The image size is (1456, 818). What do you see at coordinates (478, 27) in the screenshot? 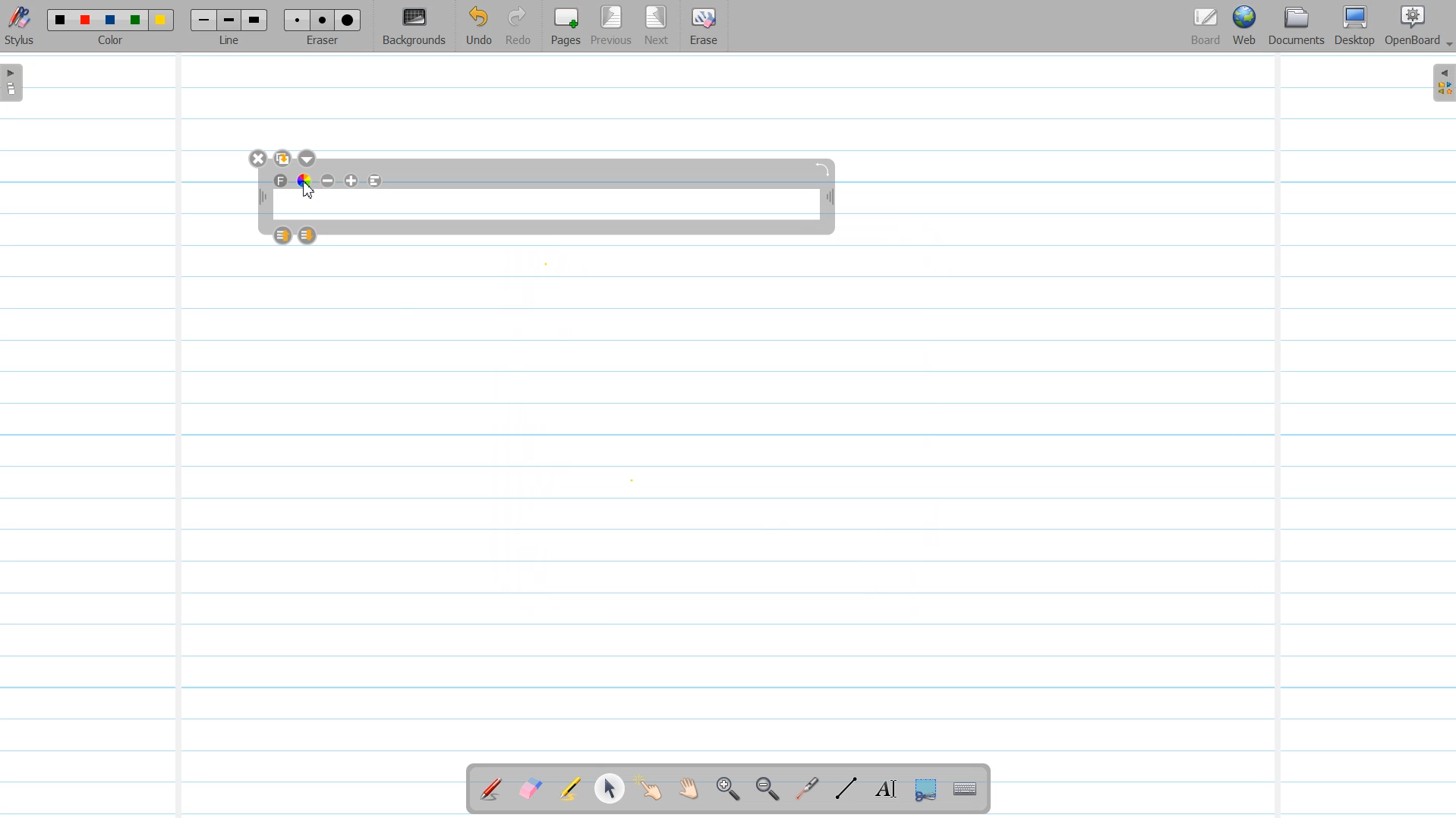
I see `Undo` at bounding box center [478, 27].